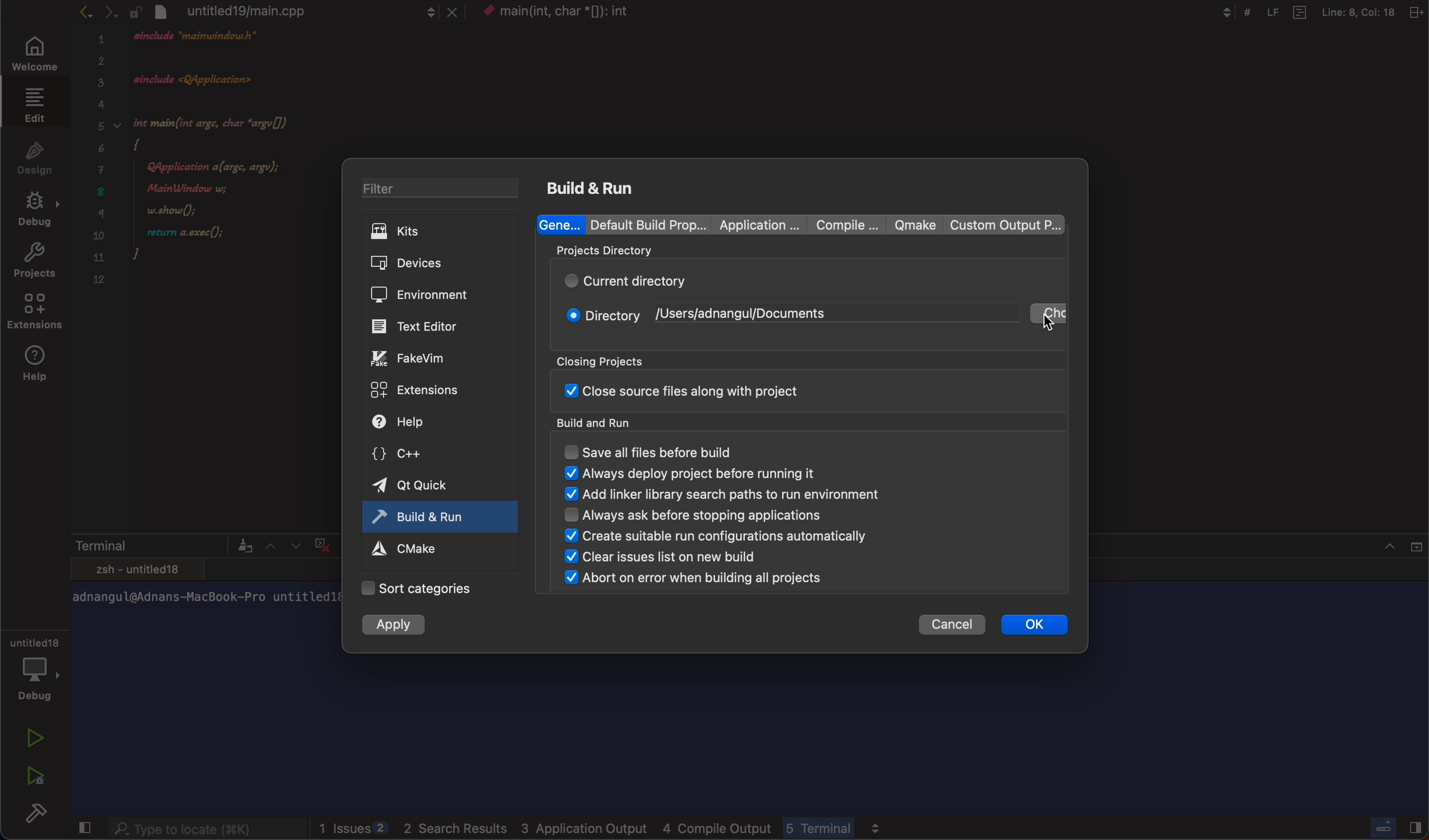  What do you see at coordinates (410, 548) in the screenshot?
I see `cmake` at bounding box center [410, 548].